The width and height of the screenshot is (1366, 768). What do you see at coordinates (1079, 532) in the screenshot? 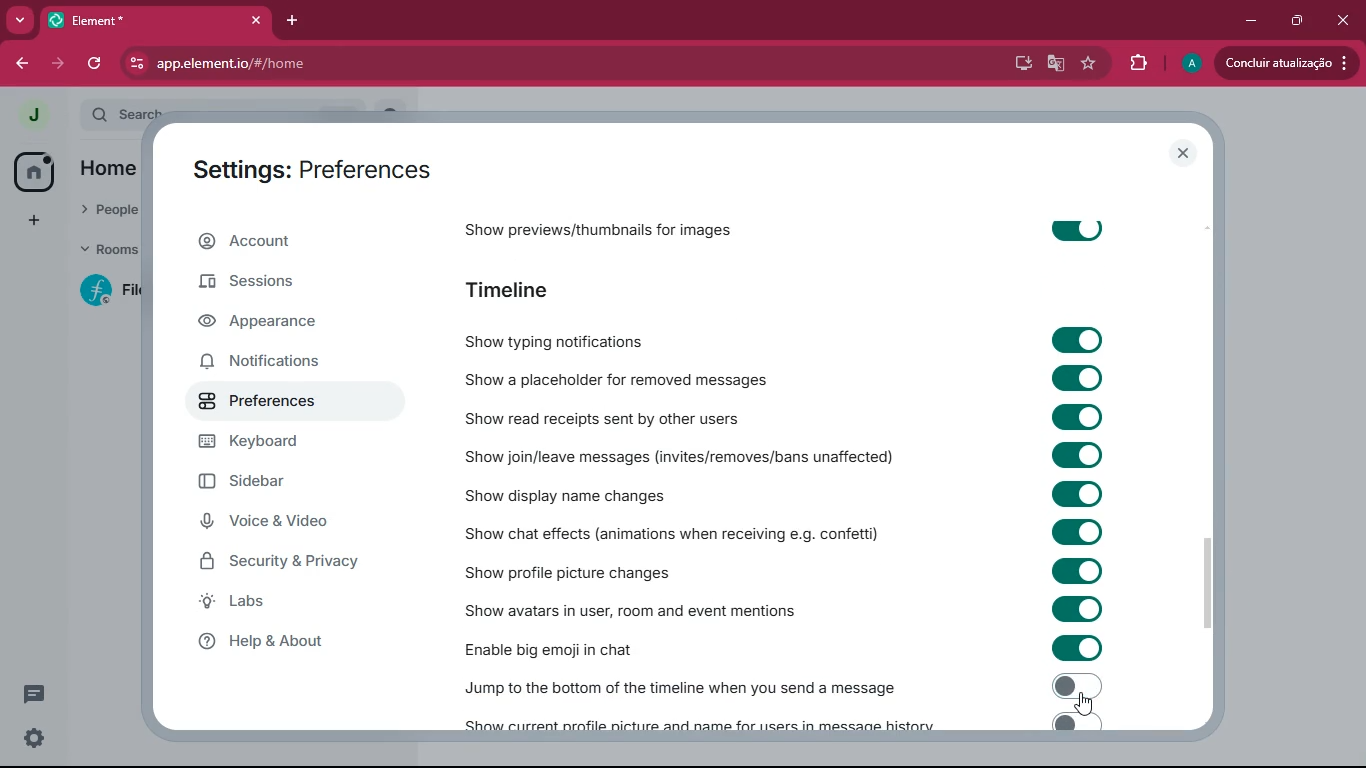
I see `toggle on ` at bounding box center [1079, 532].